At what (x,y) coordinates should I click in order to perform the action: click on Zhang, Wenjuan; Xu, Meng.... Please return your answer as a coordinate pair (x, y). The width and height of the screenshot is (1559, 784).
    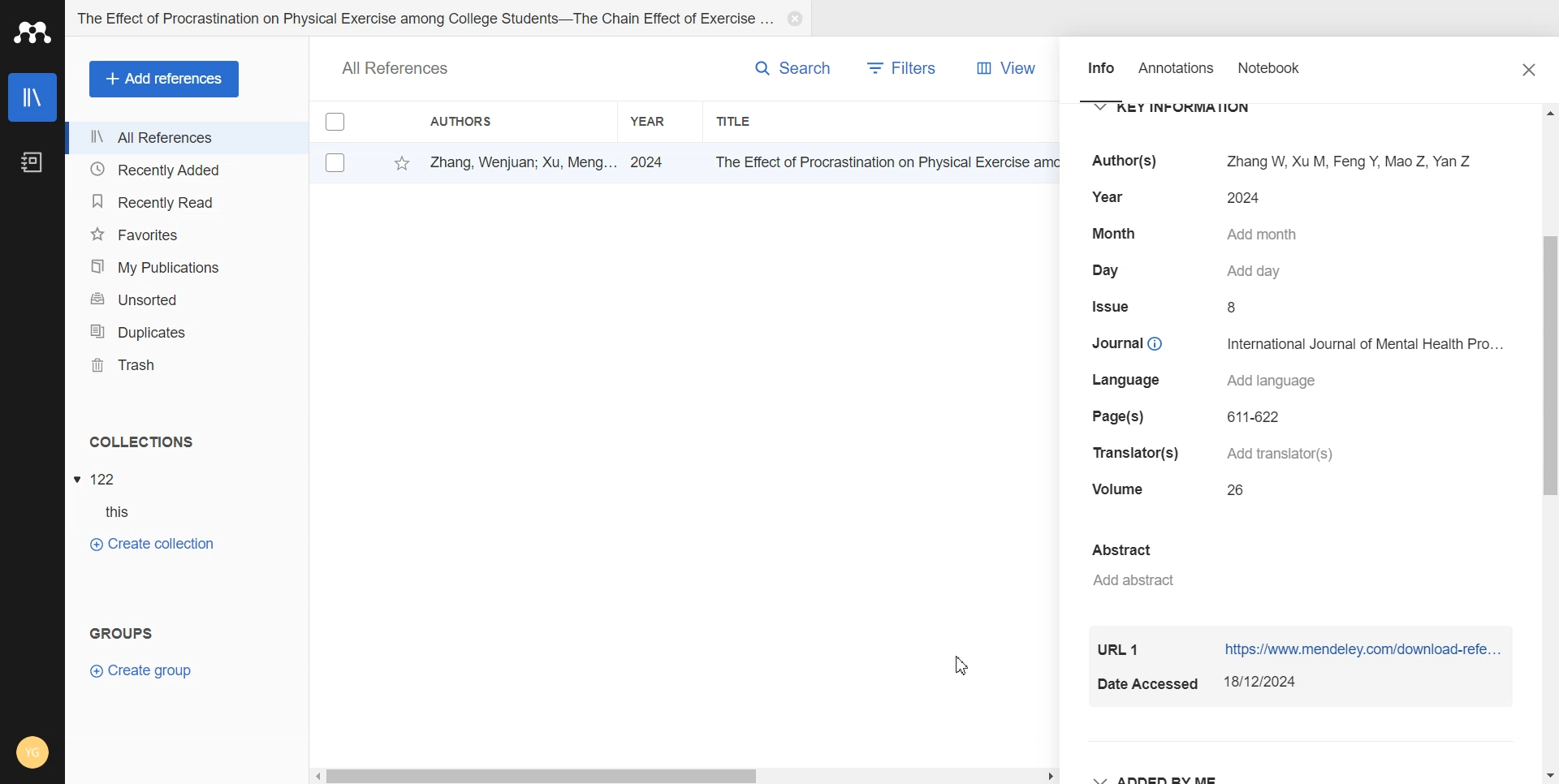
    Looking at the image, I should click on (518, 161).